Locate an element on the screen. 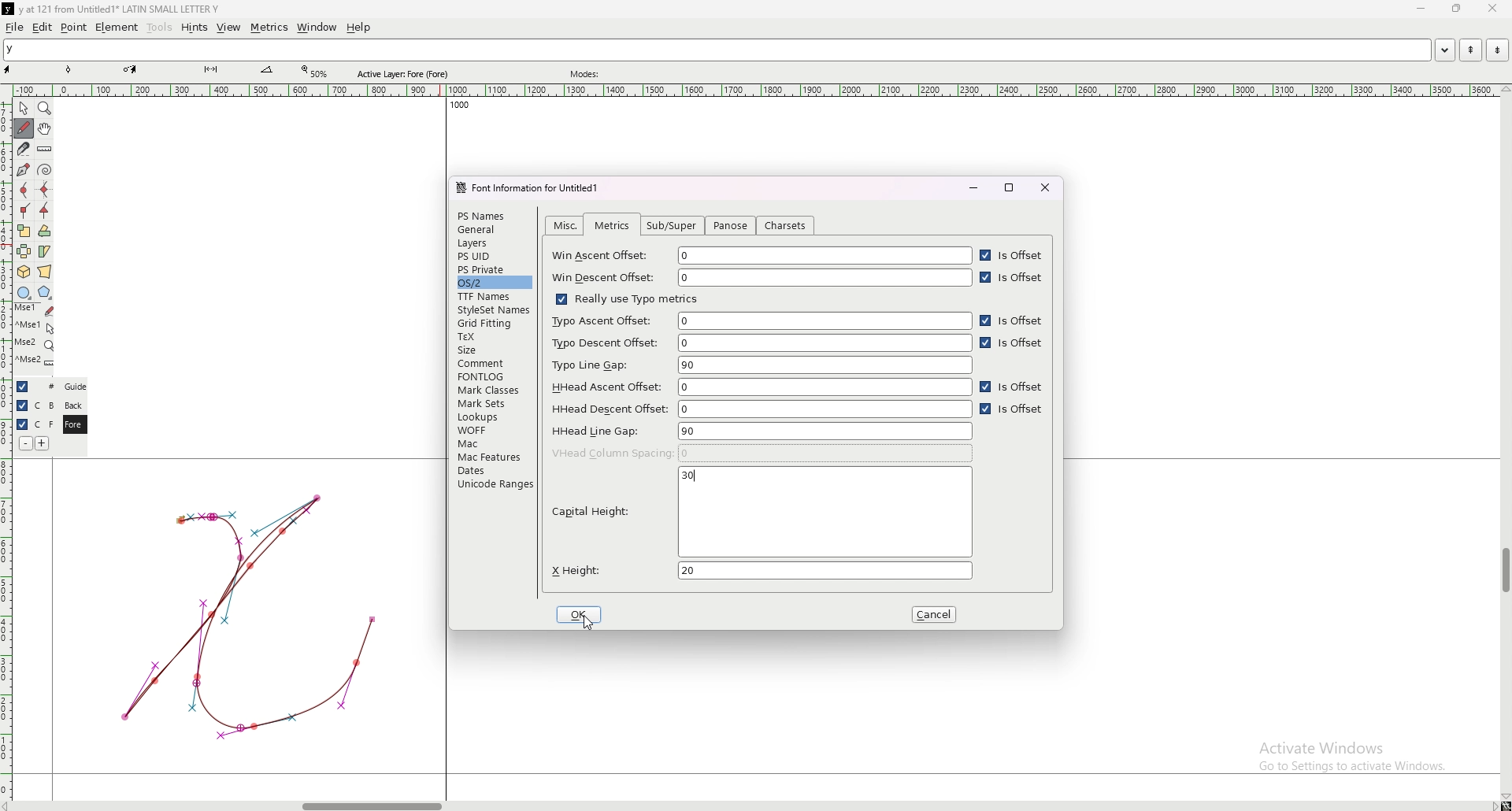  y is located at coordinates (717, 50).